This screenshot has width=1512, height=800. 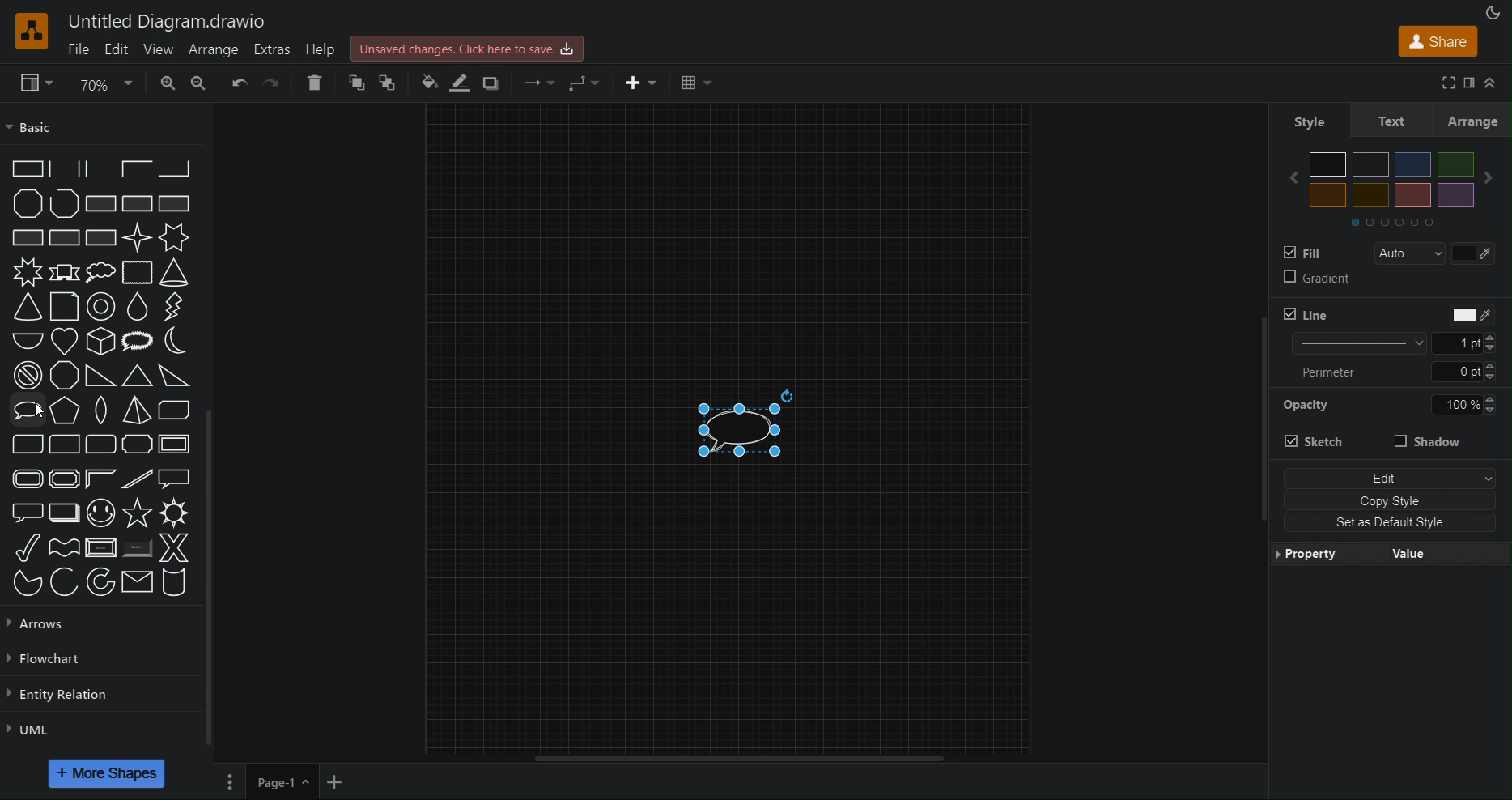 What do you see at coordinates (101, 444) in the screenshot?
I see `Rounded Rectangle (three corners)` at bounding box center [101, 444].